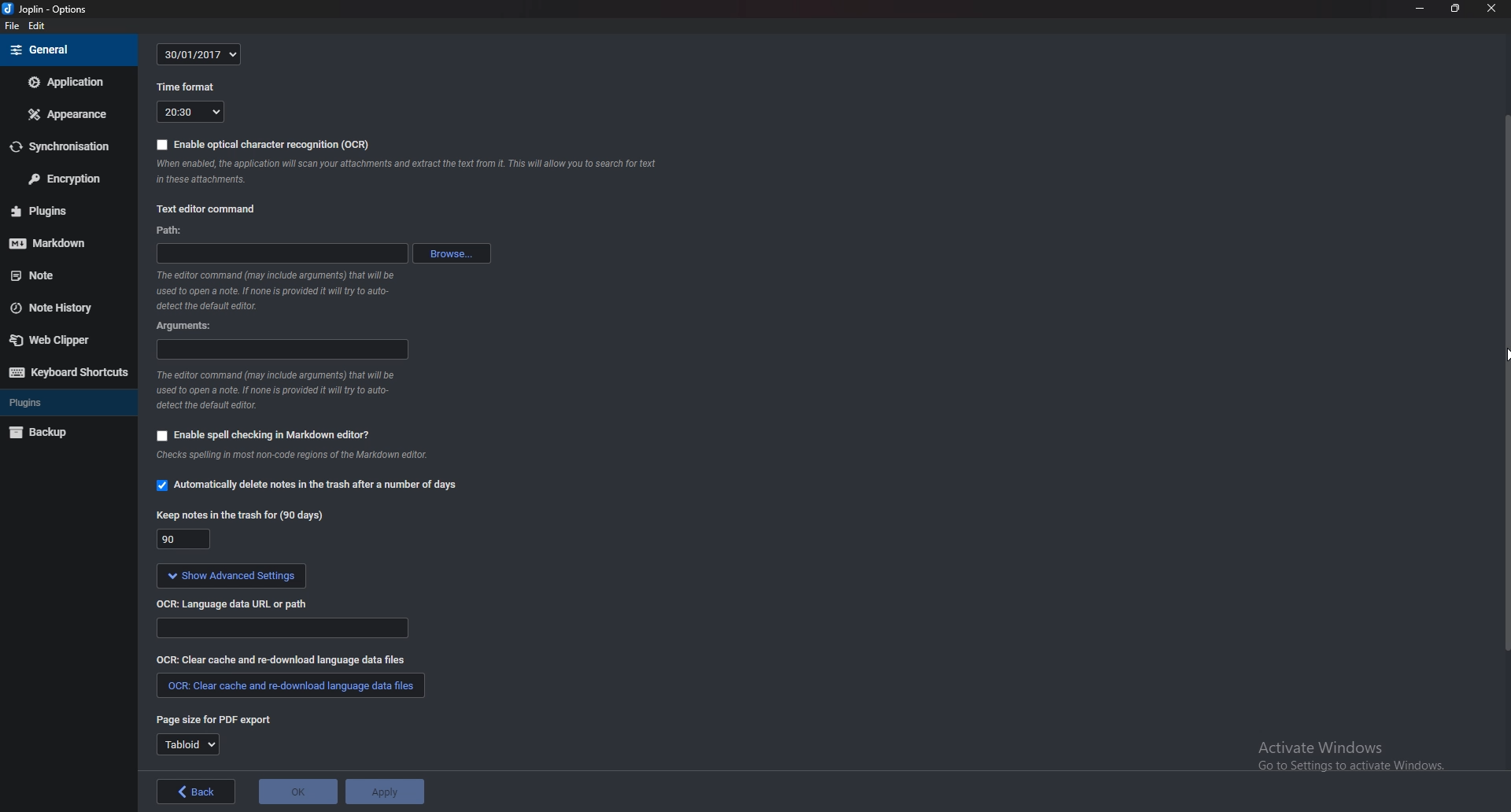  I want to click on activate windows, so click(1339, 758).